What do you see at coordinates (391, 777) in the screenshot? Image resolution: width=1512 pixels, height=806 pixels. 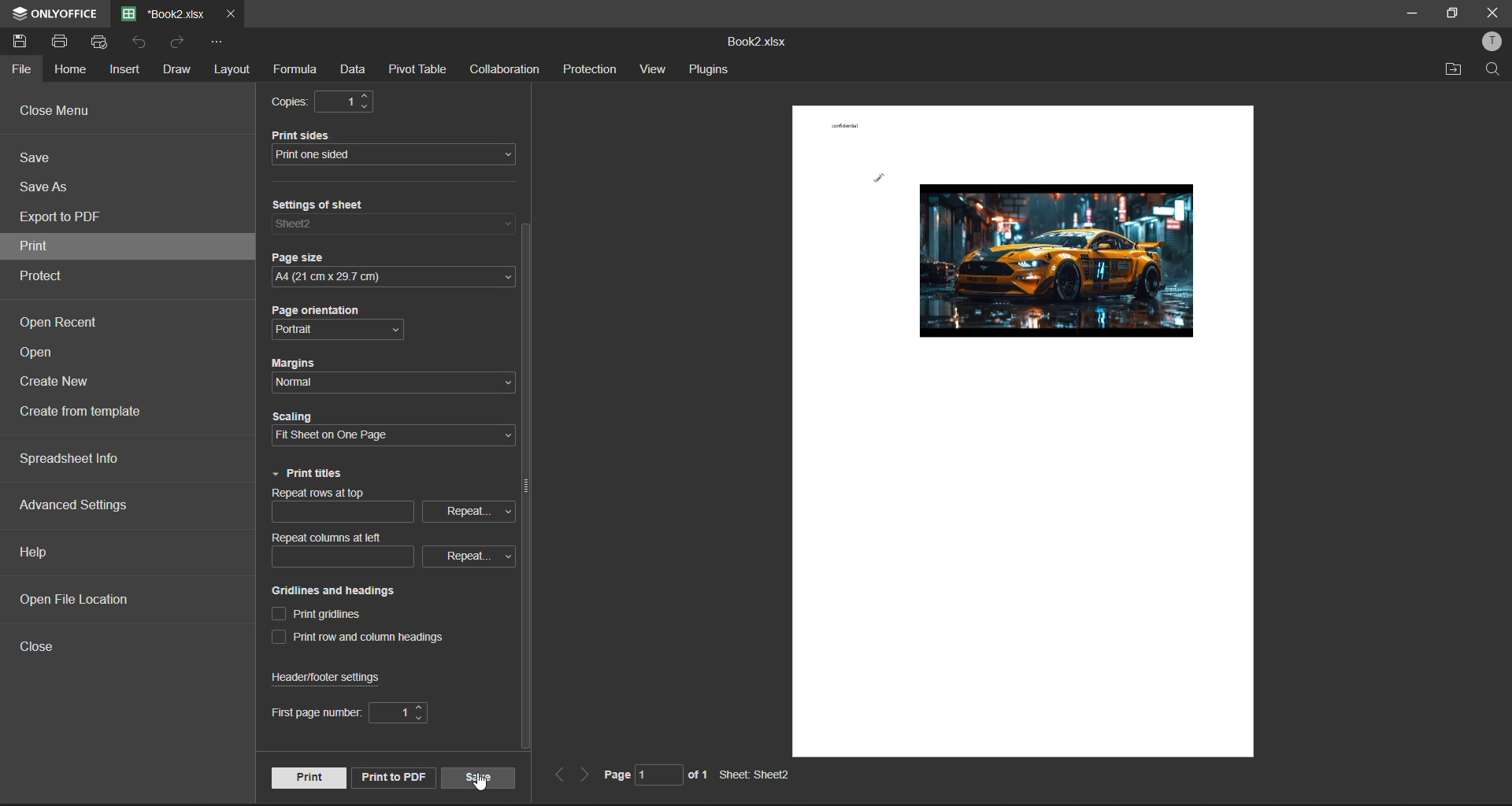 I see `print to pdf` at bounding box center [391, 777].